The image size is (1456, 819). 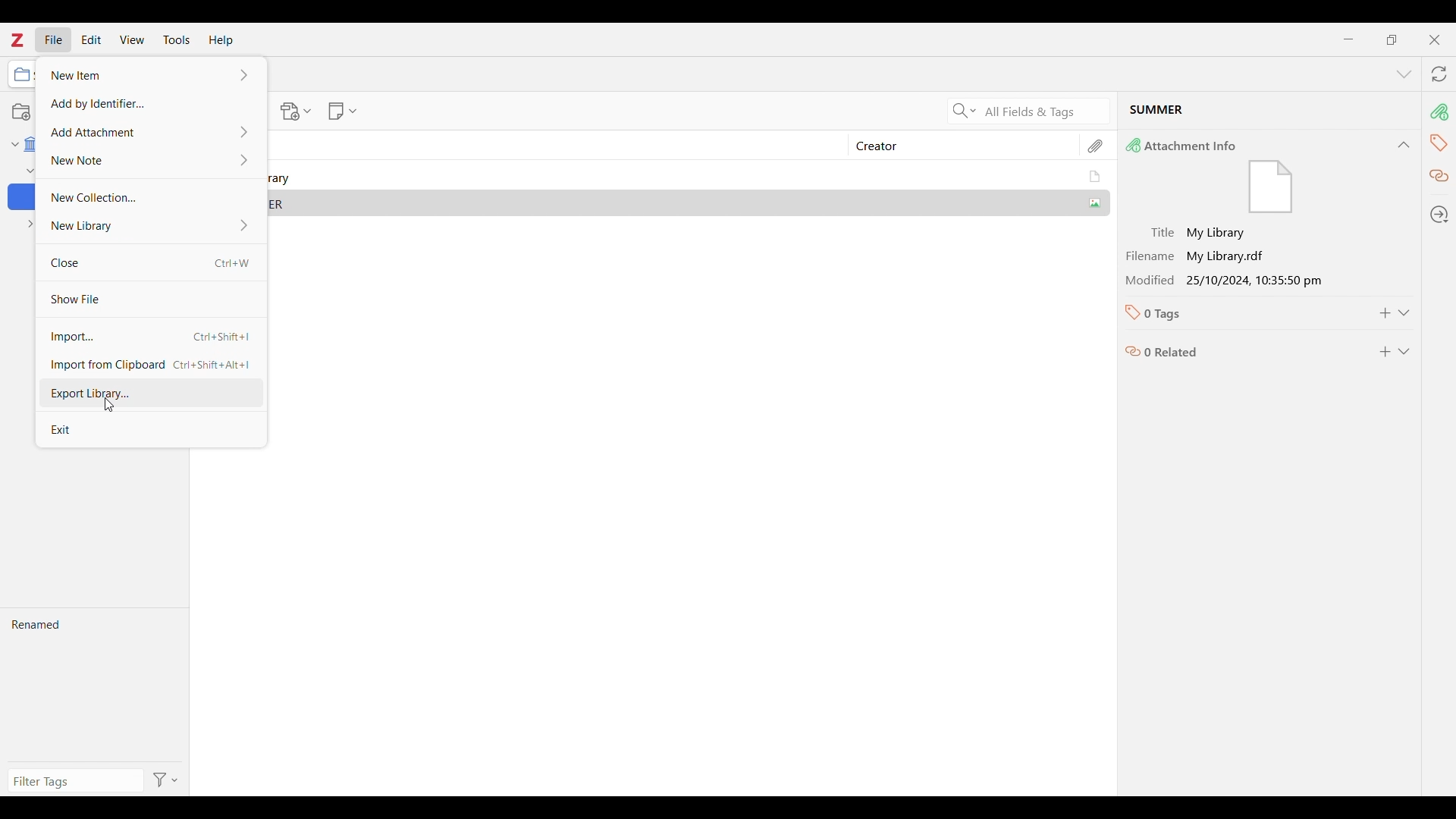 I want to click on Modification 25/10/2024 10:35:50 pm, so click(x=1241, y=280).